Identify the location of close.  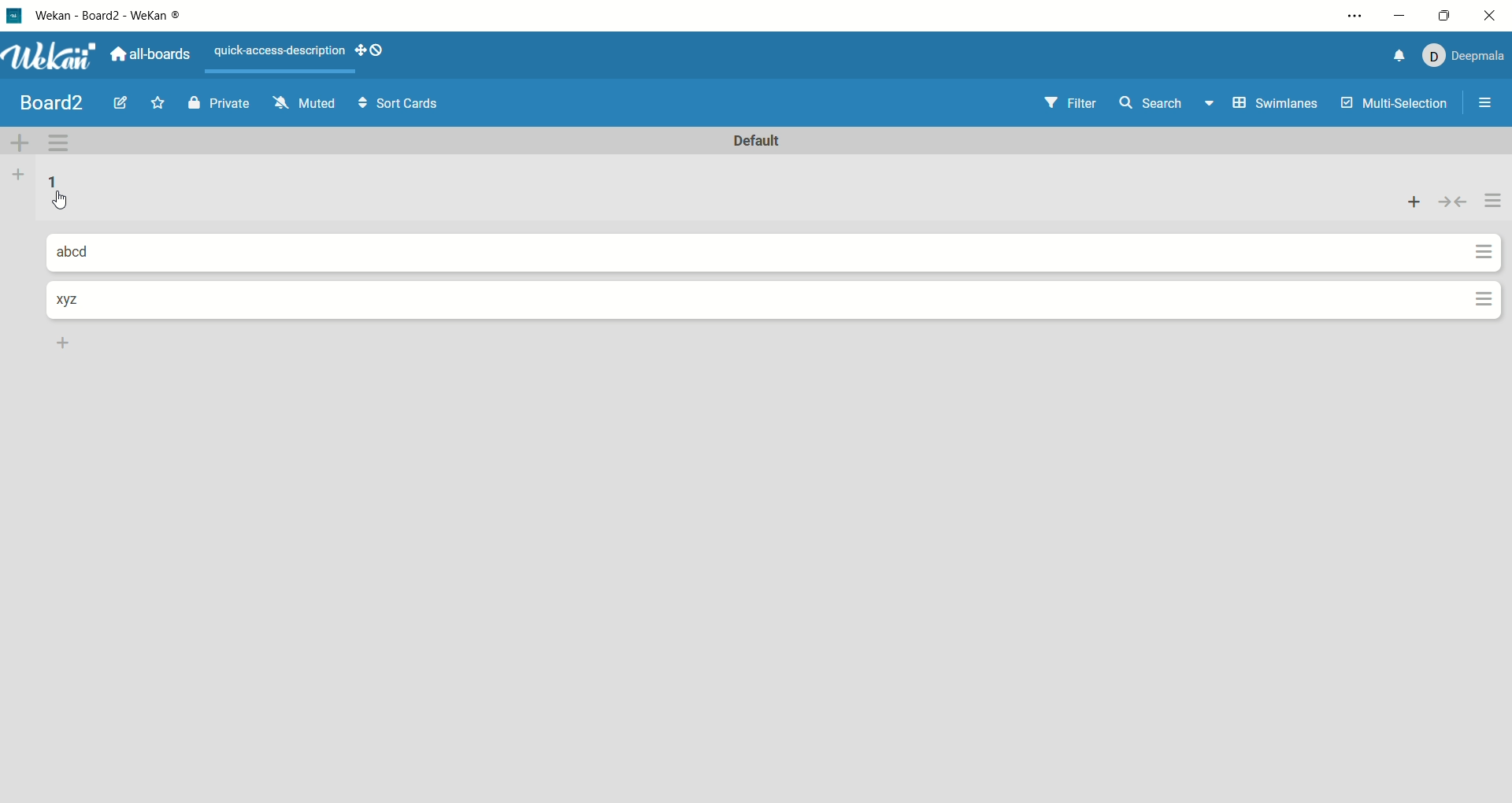
(1492, 16).